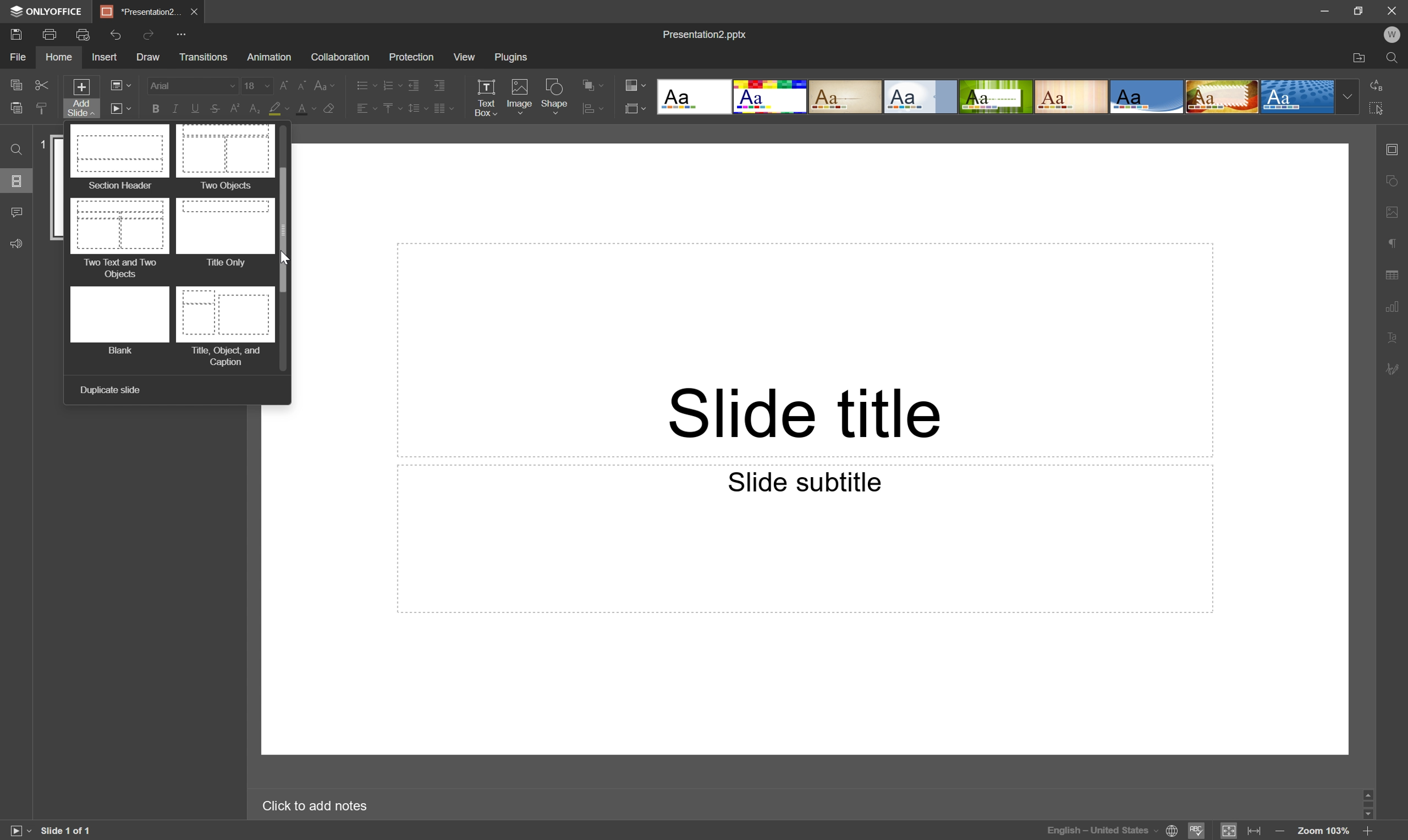  What do you see at coordinates (1395, 57) in the screenshot?
I see `Find` at bounding box center [1395, 57].